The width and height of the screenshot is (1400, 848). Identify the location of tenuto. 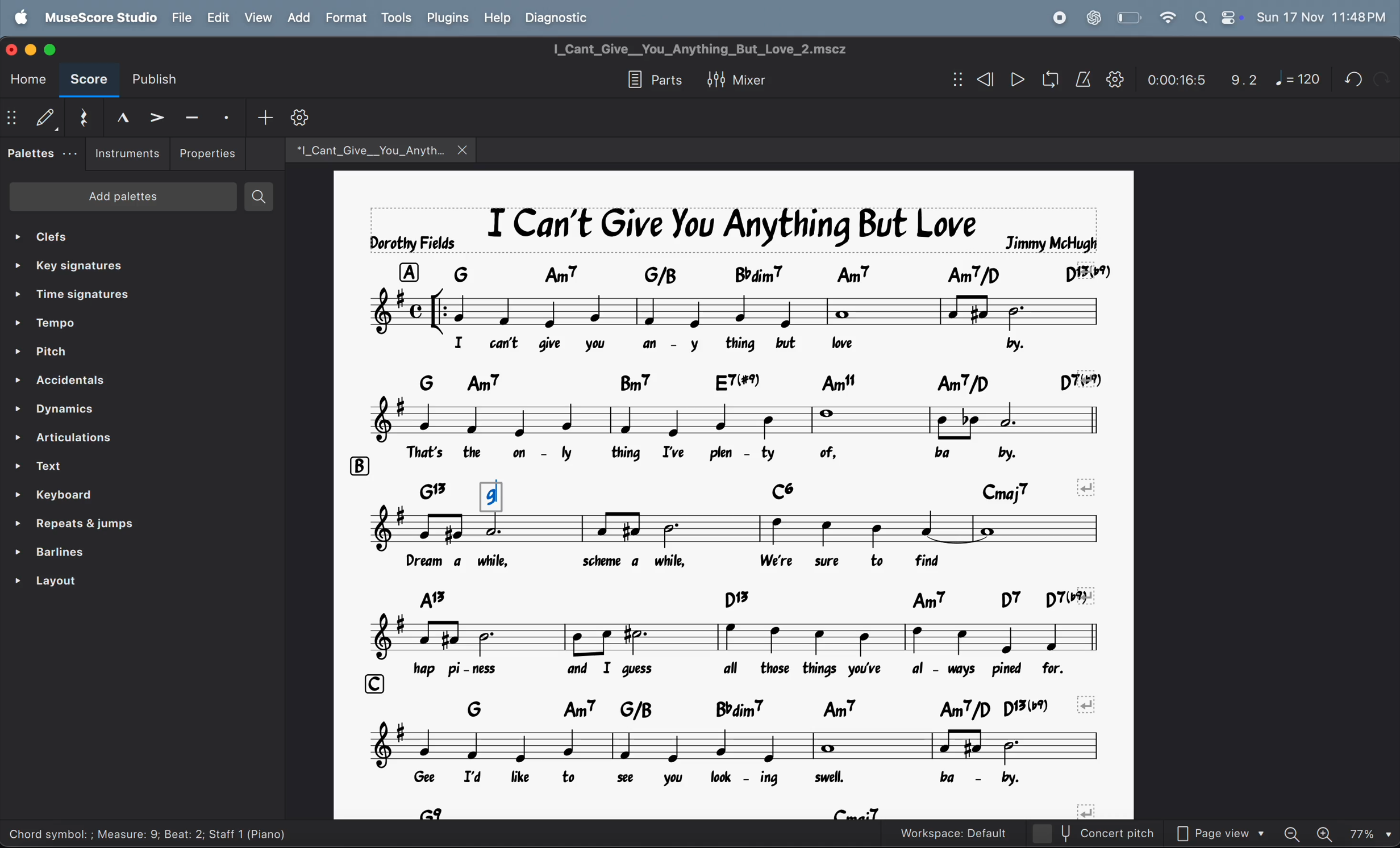
(195, 116).